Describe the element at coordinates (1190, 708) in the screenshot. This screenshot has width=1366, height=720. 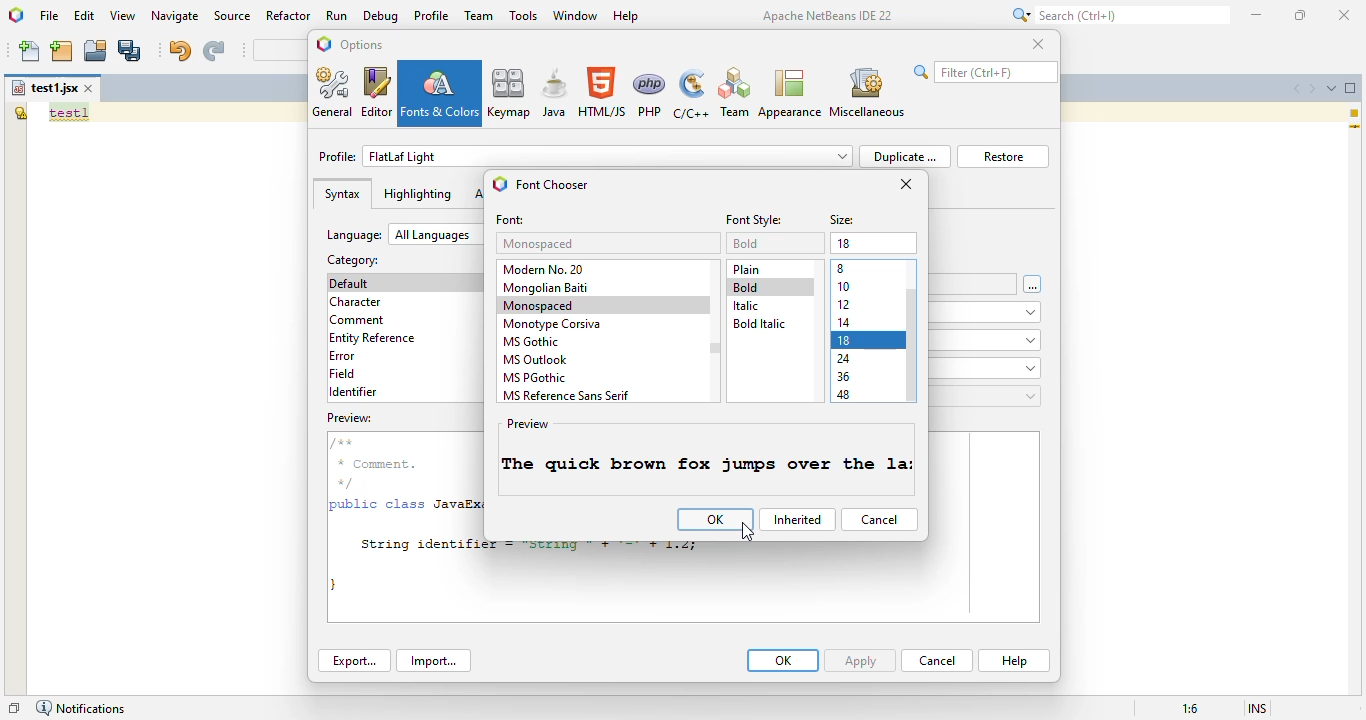
I see `magnification ratio` at that location.